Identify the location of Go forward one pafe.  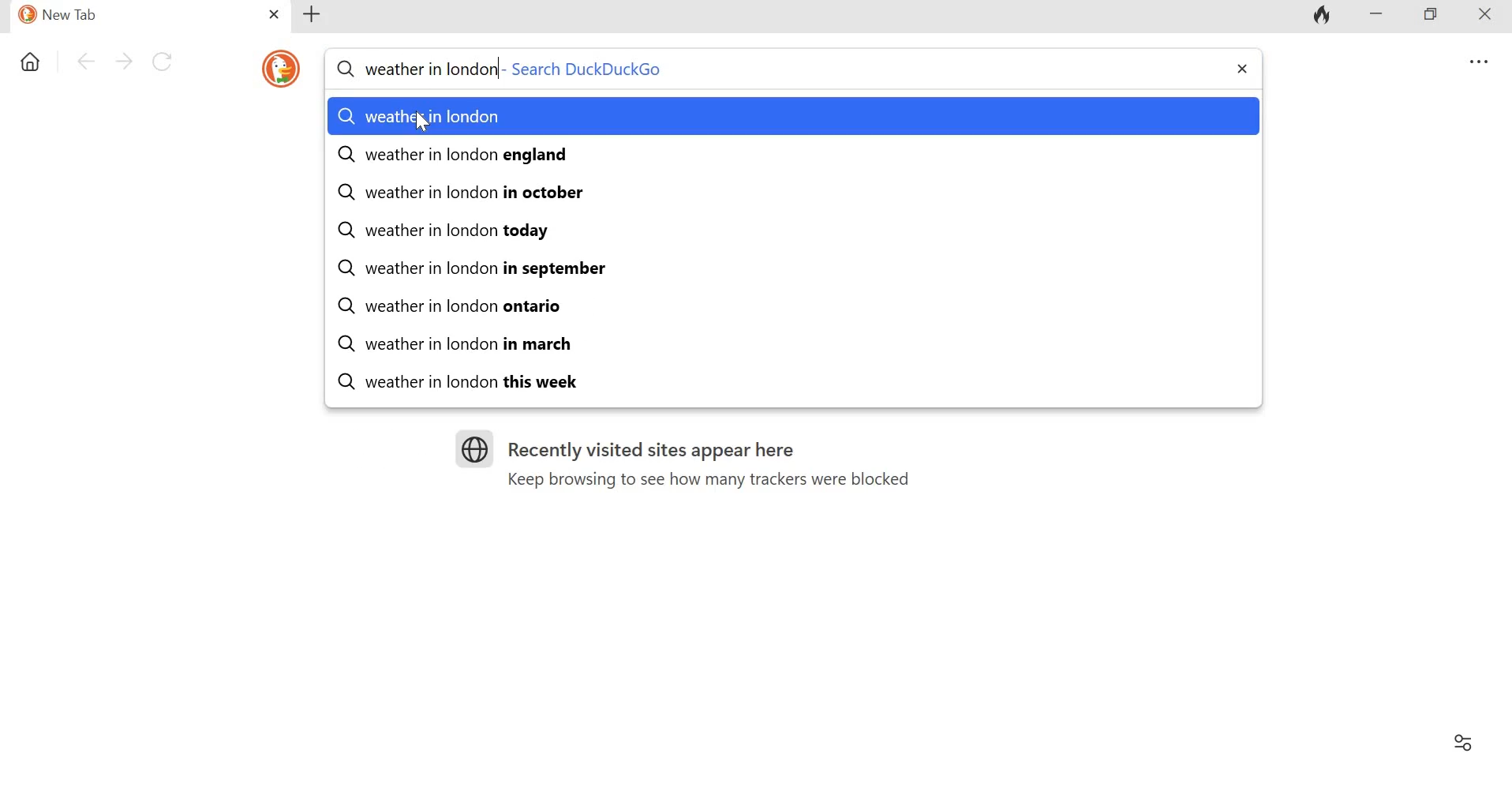
(122, 62).